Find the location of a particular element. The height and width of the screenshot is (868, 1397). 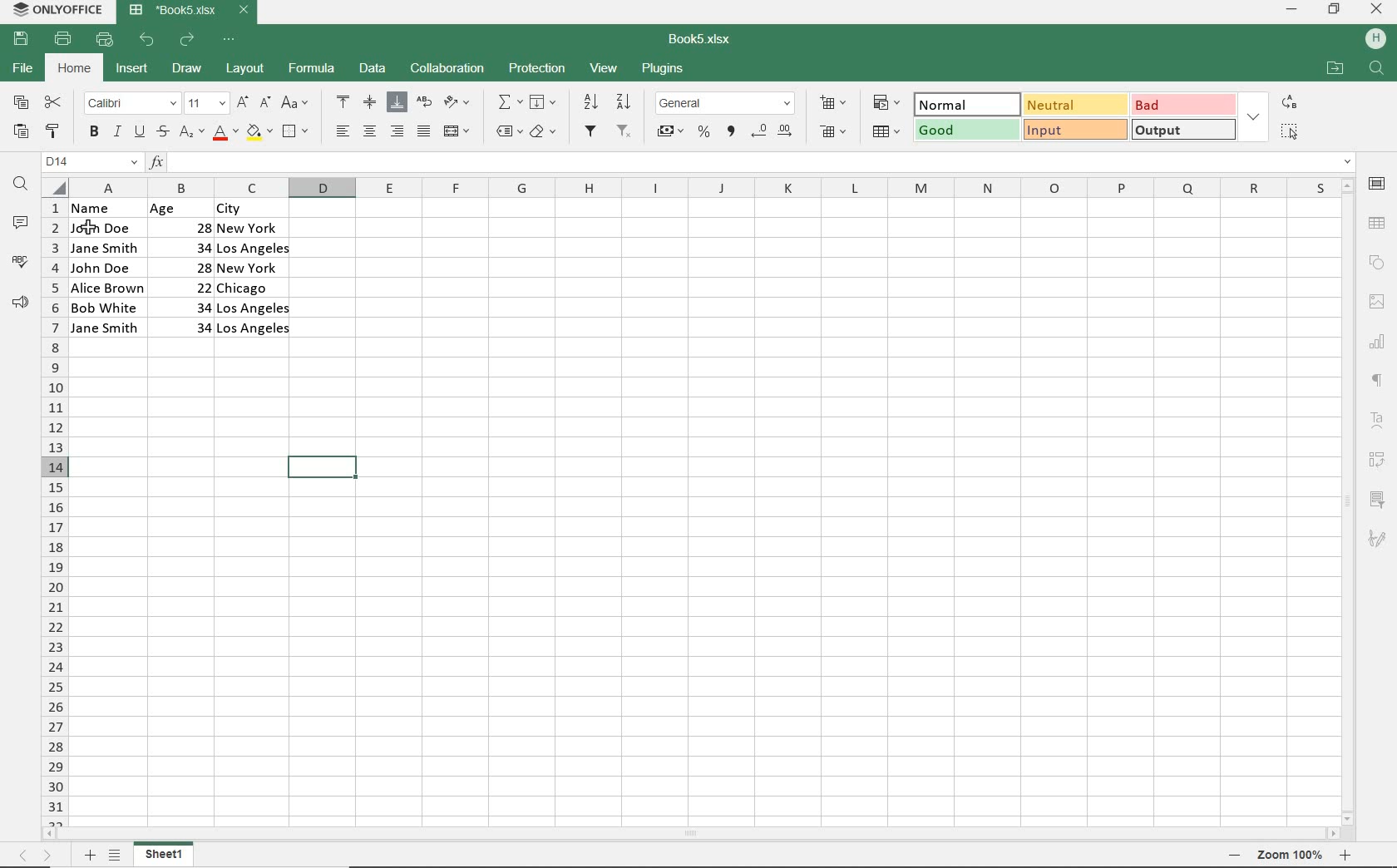

JUSTIFIED is located at coordinates (423, 131).